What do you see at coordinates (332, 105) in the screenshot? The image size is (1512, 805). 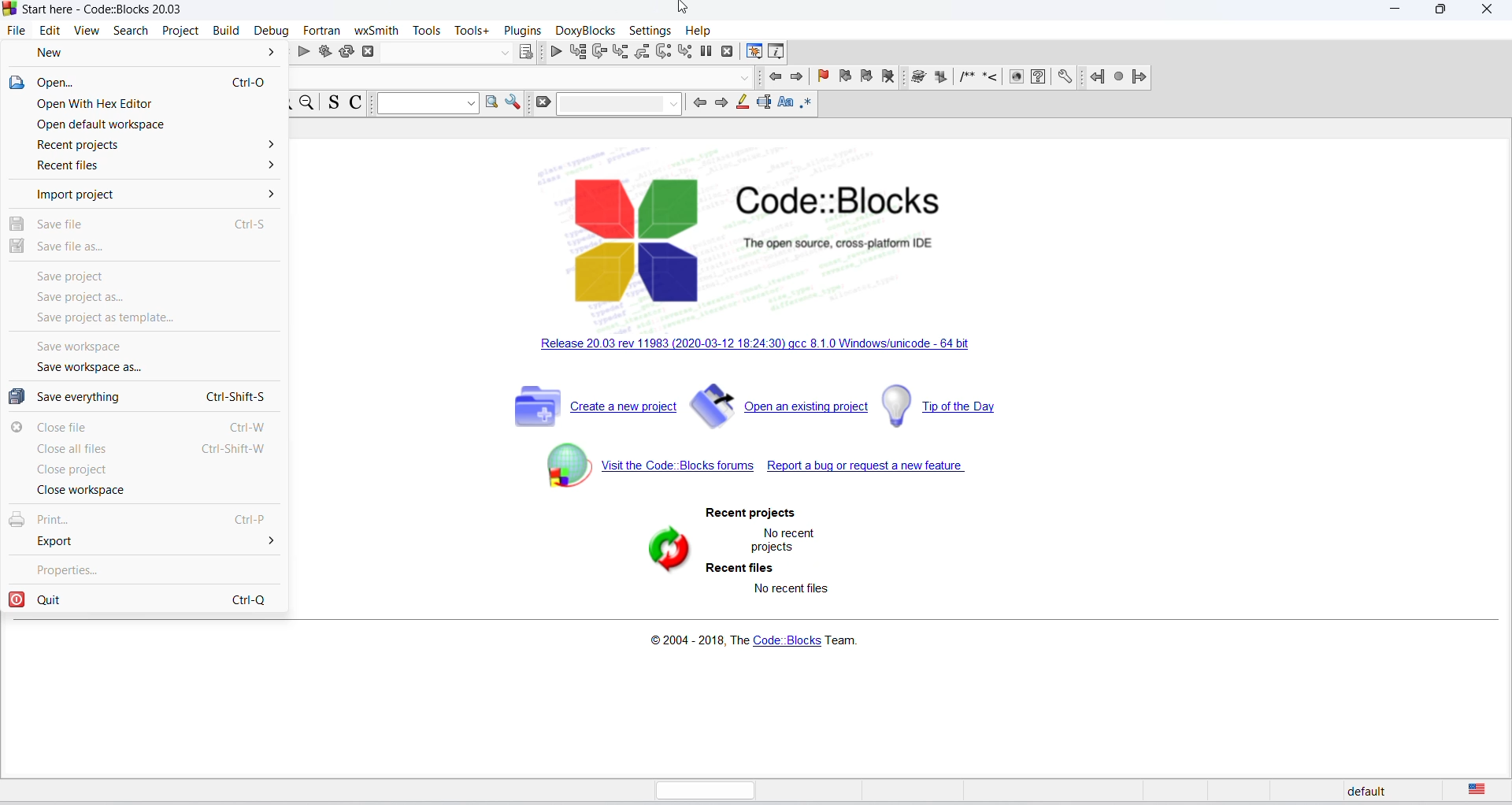 I see `toggle source` at bounding box center [332, 105].